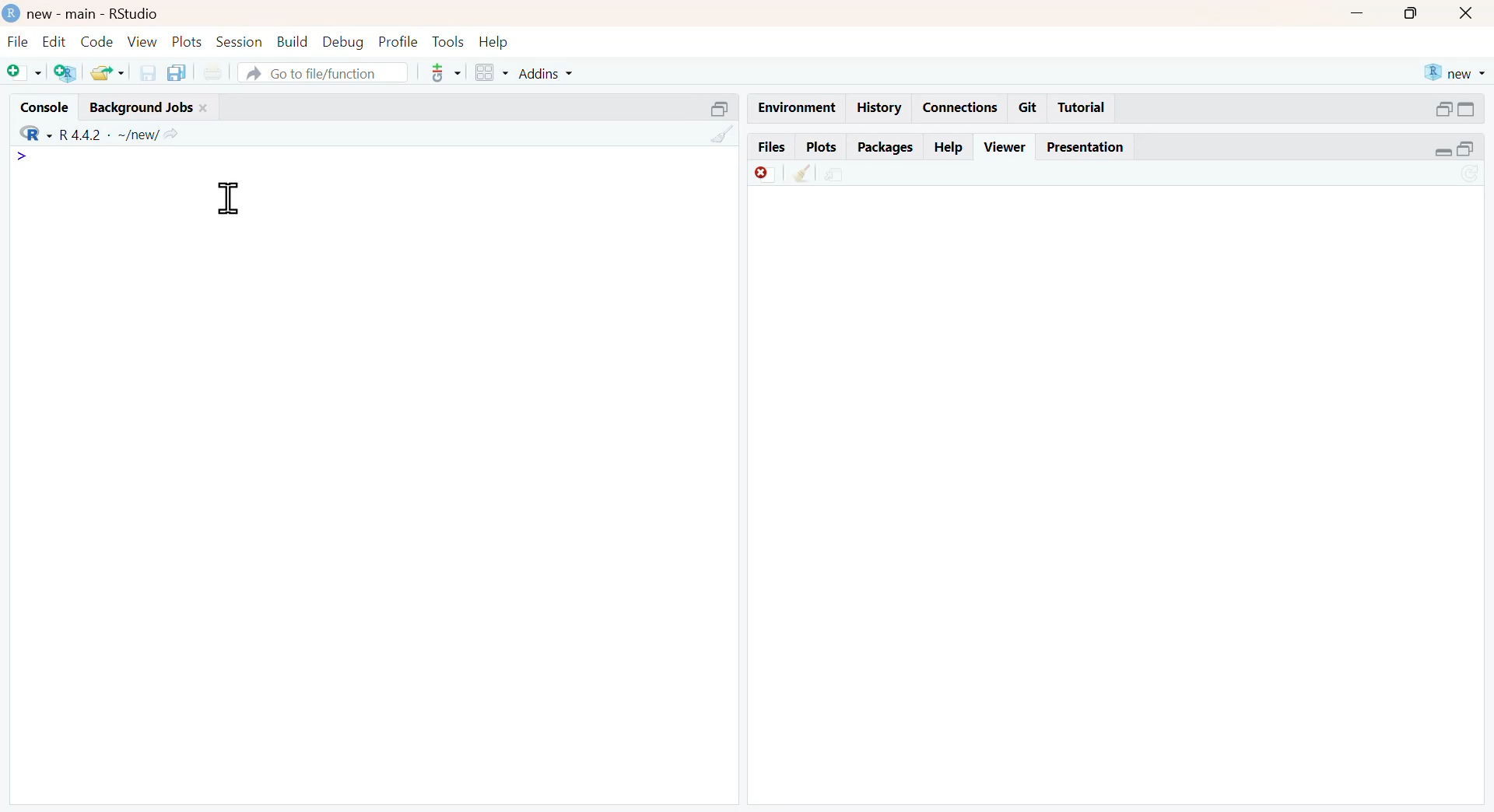 Image resolution: width=1494 pixels, height=812 pixels. What do you see at coordinates (805, 173) in the screenshot?
I see `clean` at bounding box center [805, 173].